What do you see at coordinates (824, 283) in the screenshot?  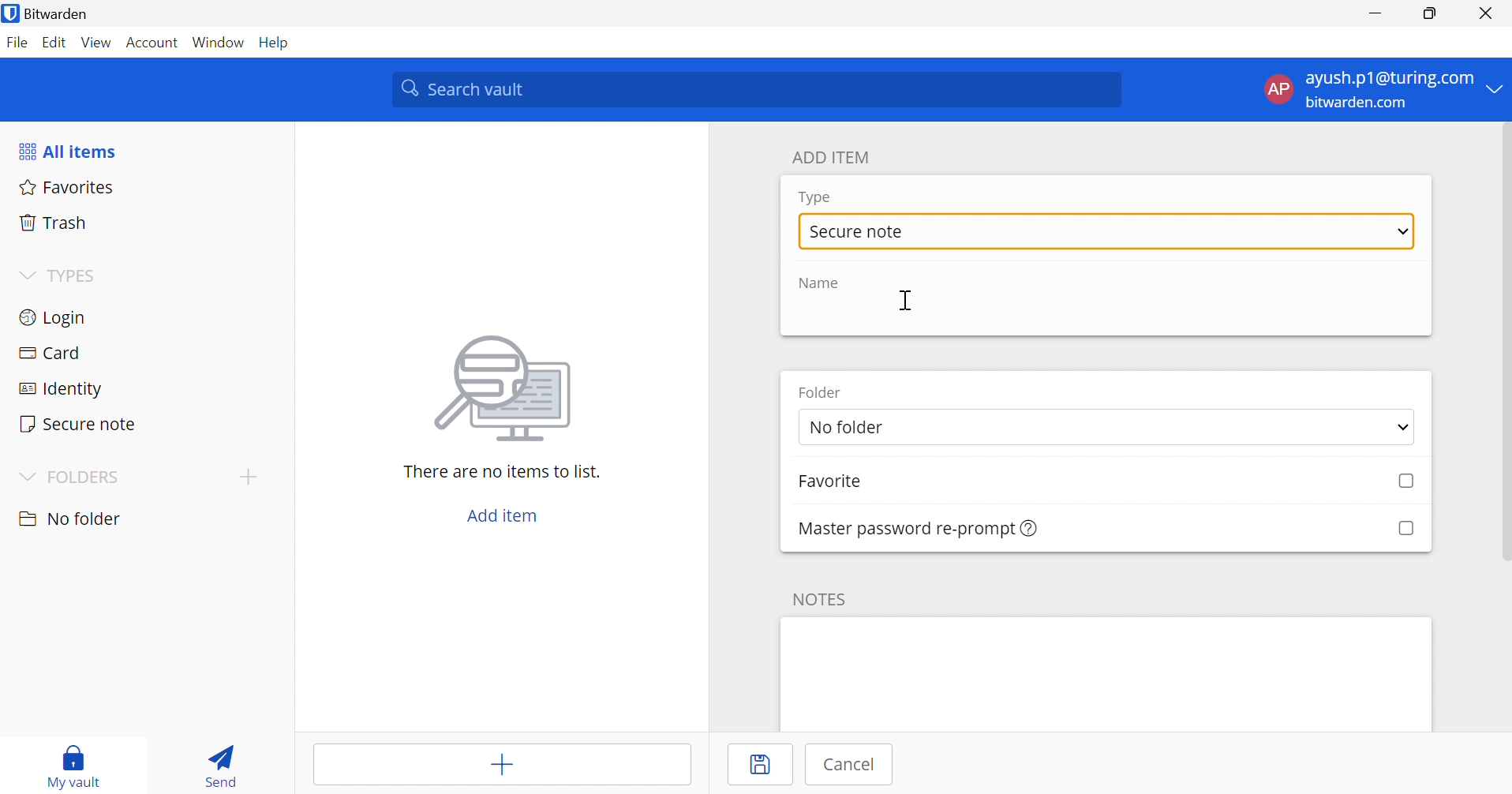 I see `Name` at bounding box center [824, 283].